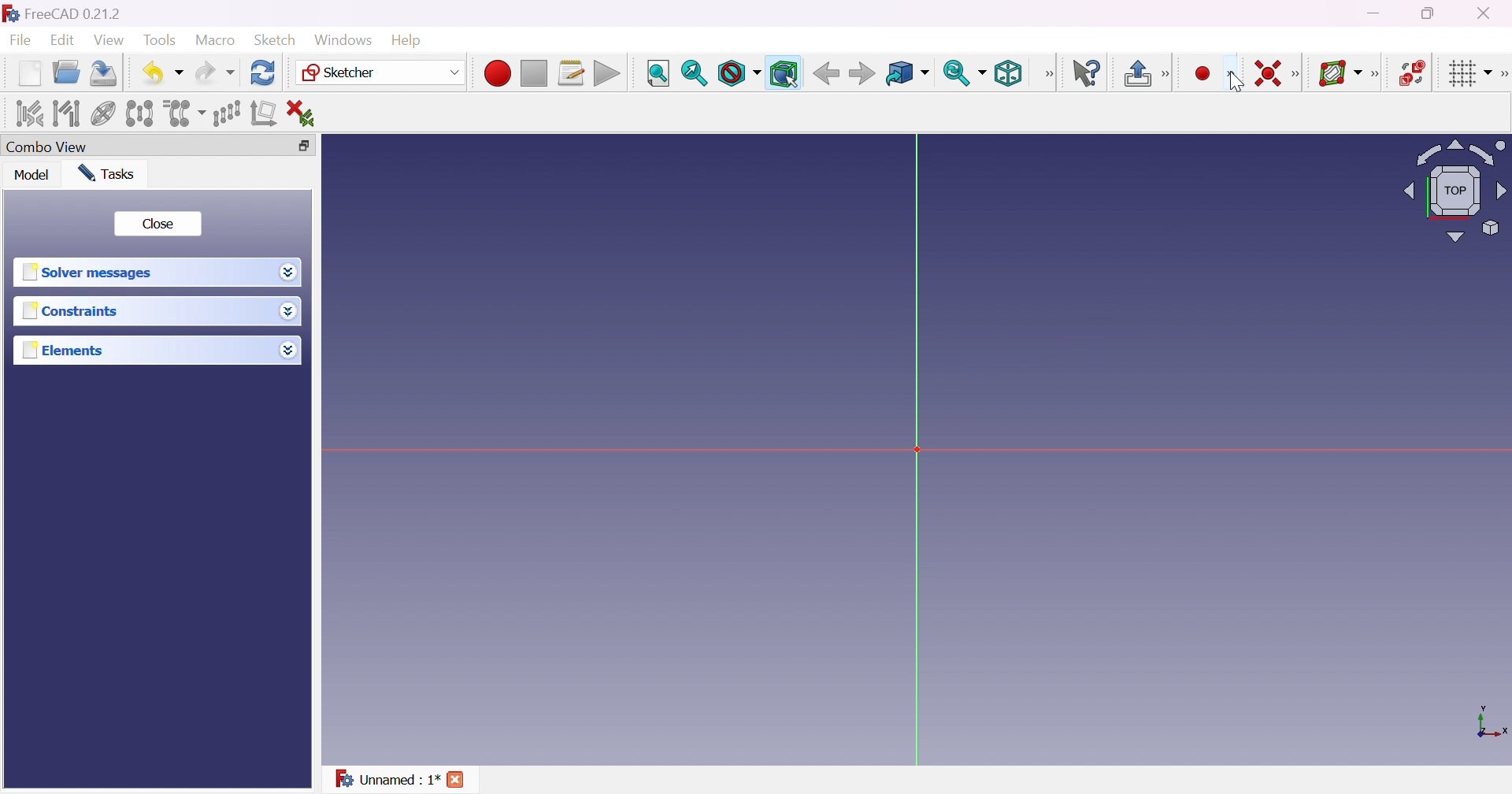  I want to click on Tasks, so click(107, 173).